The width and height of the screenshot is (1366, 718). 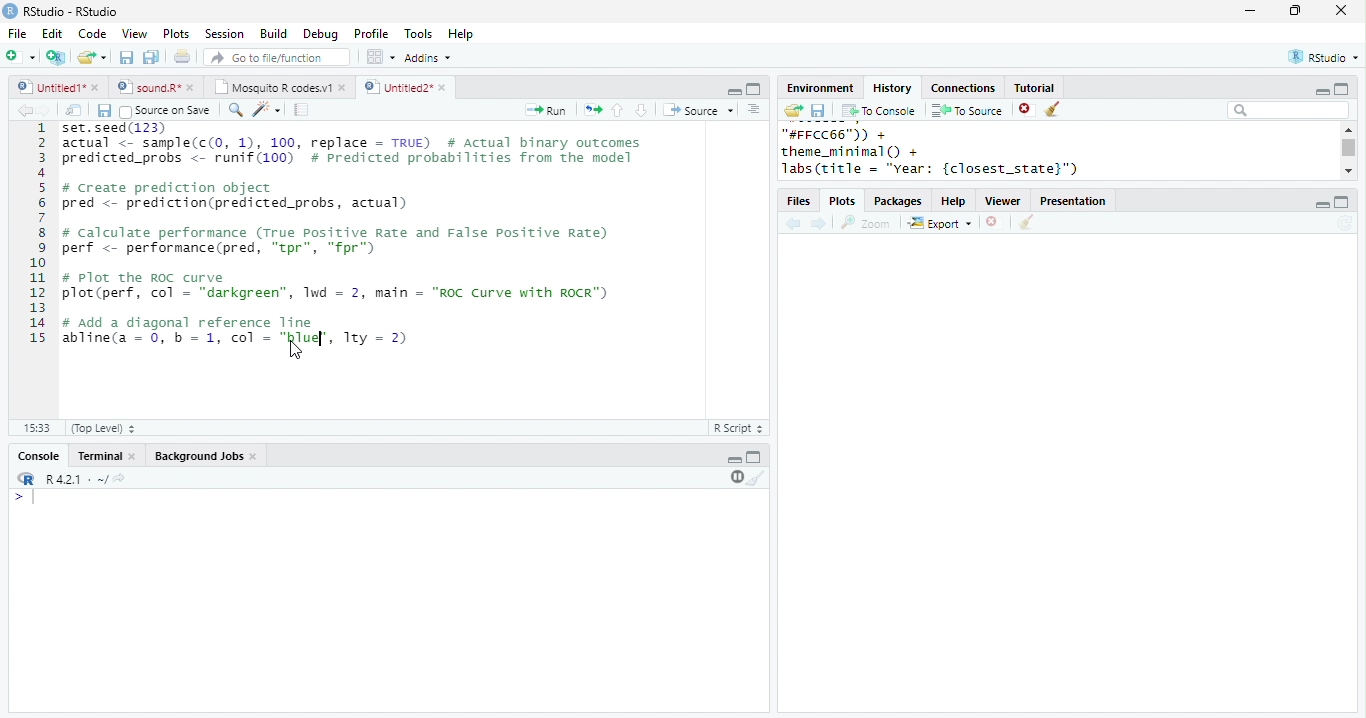 What do you see at coordinates (97, 87) in the screenshot?
I see `close` at bounding box center [97, 87].